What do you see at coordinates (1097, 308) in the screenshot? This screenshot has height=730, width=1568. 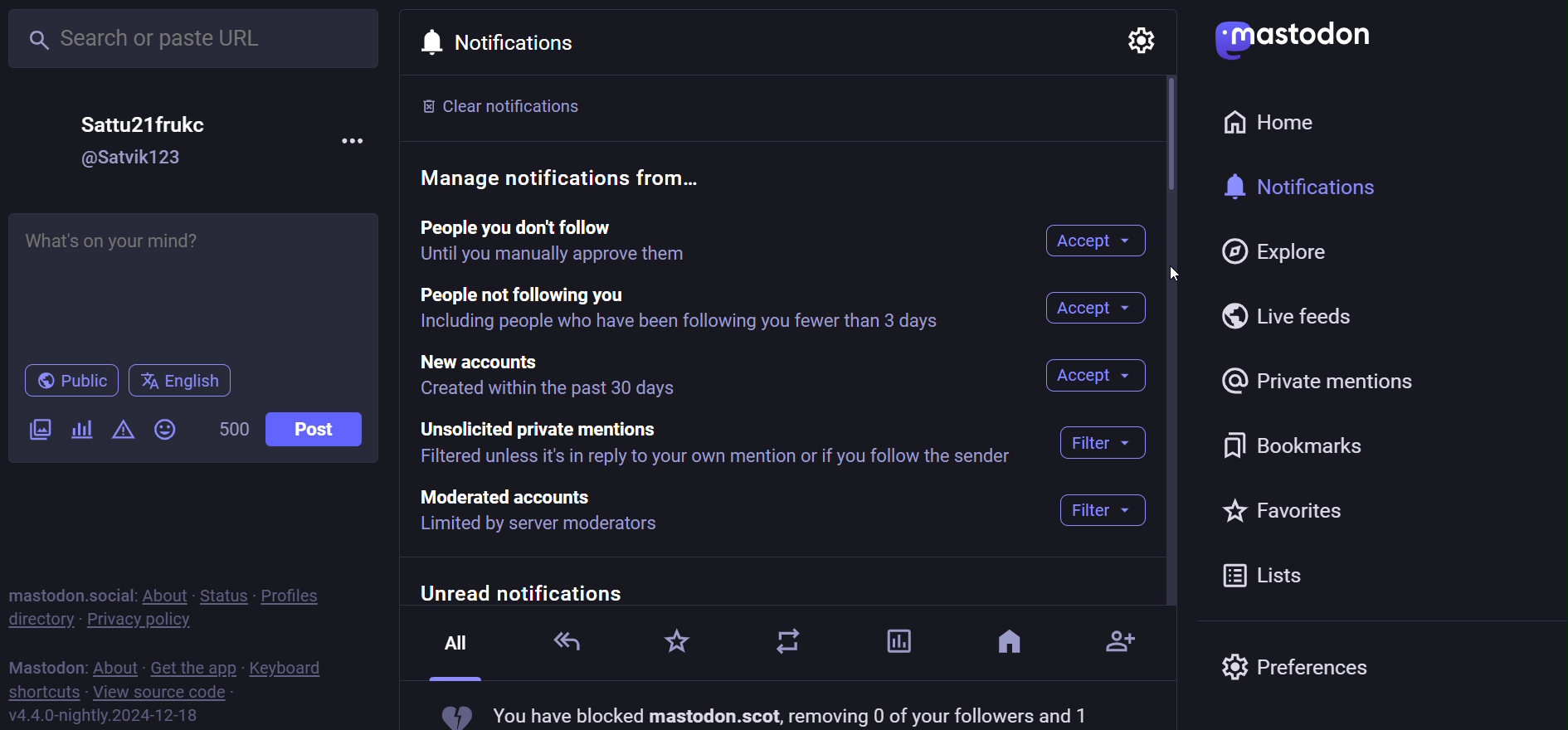 I see `accept` at bounding box center [1097, 308].